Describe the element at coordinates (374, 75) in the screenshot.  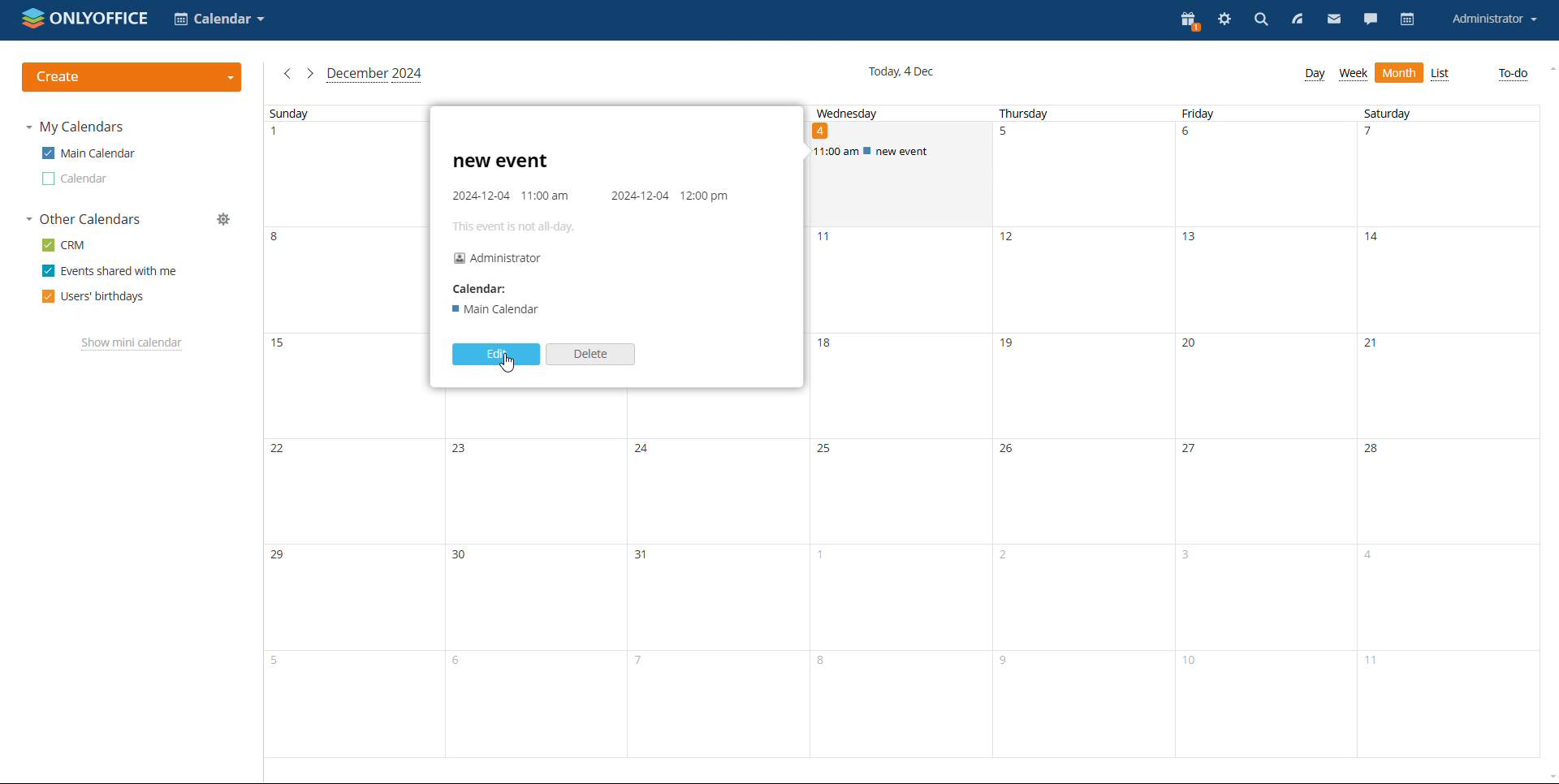
I see `cuurent month` at that location.